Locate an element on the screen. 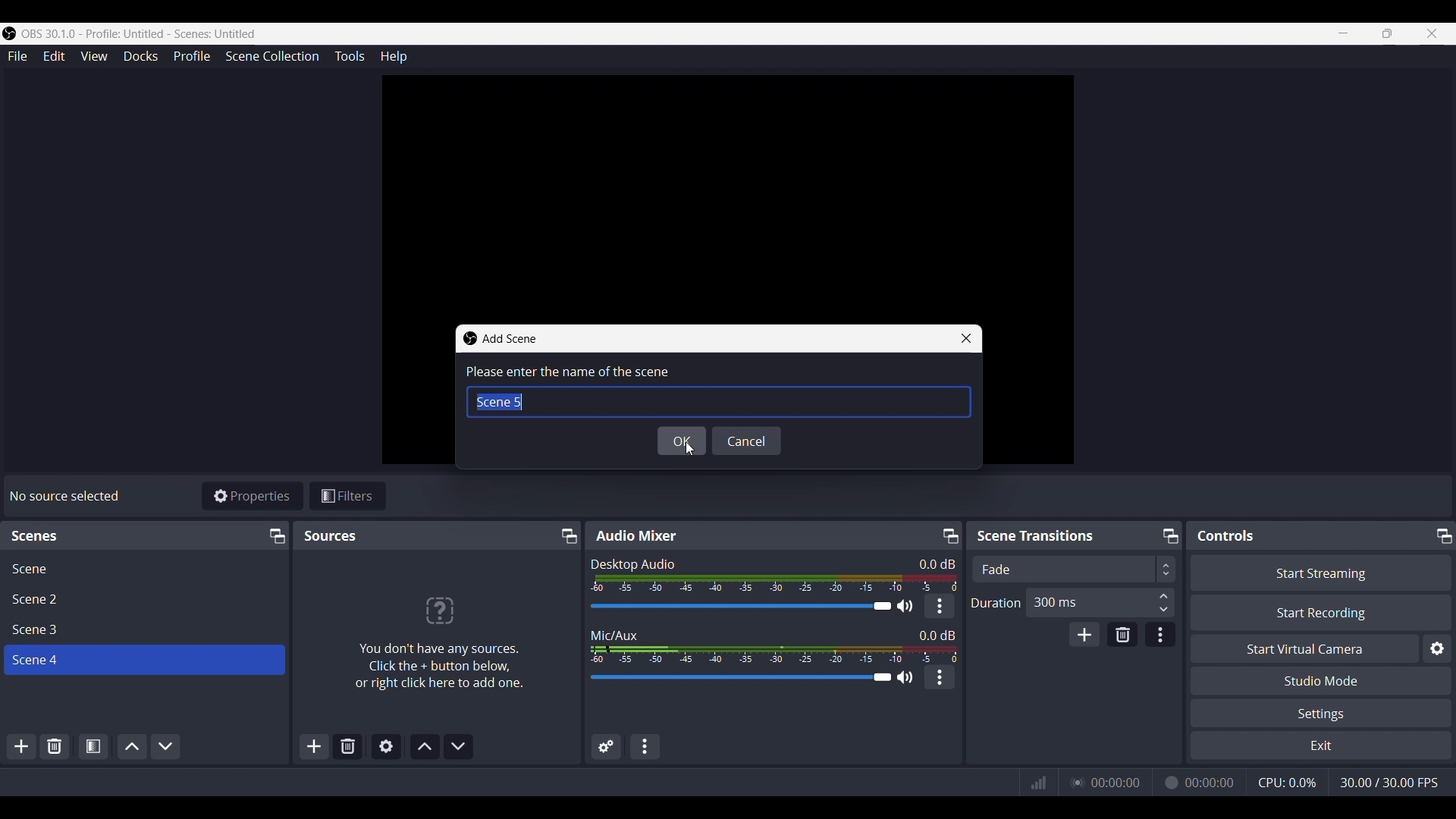 The image size is (1456, 819). Text is located at coordinates (45, 536).